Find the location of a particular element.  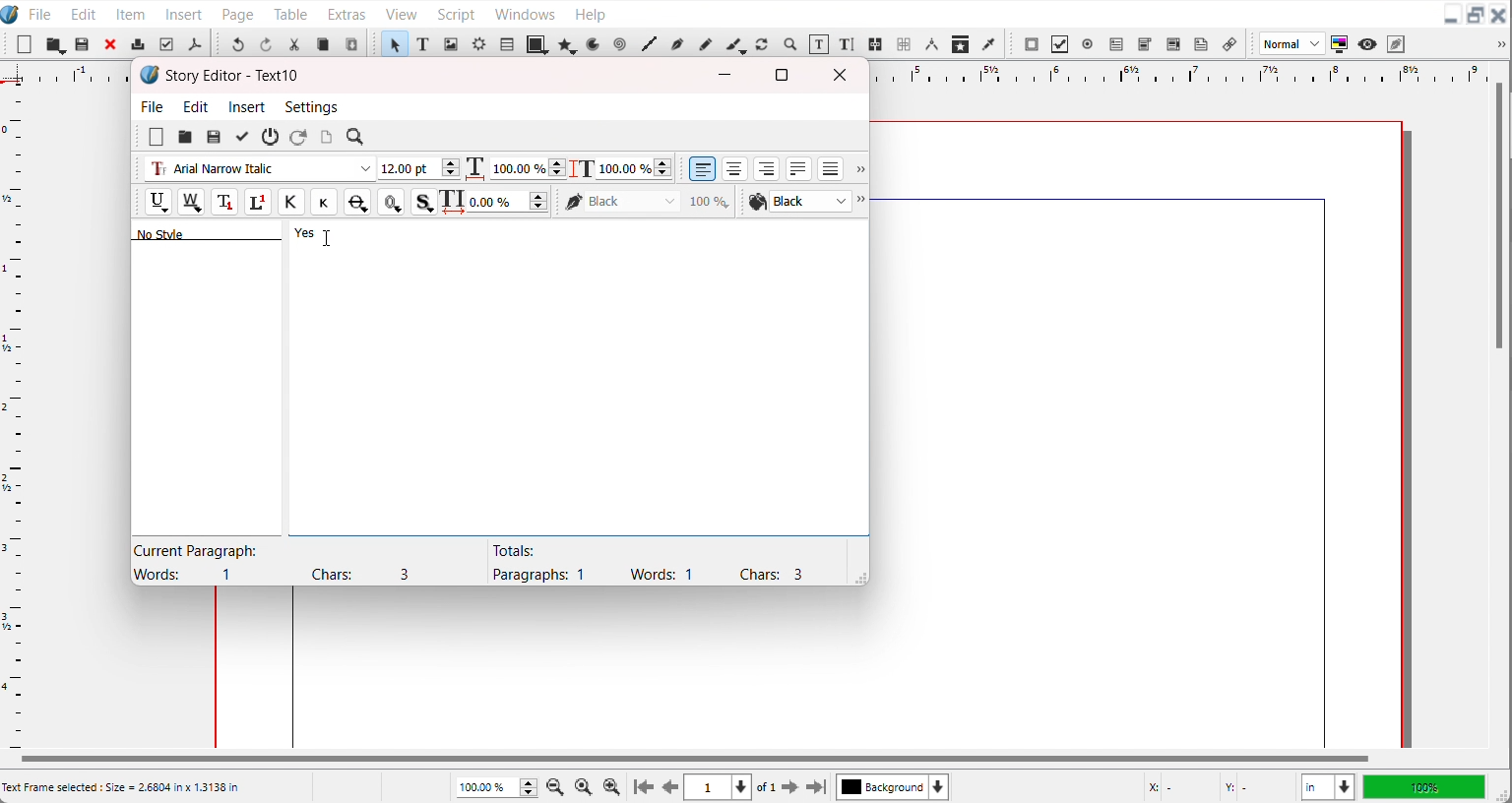

Select current page is located at coordinates (718, 787).